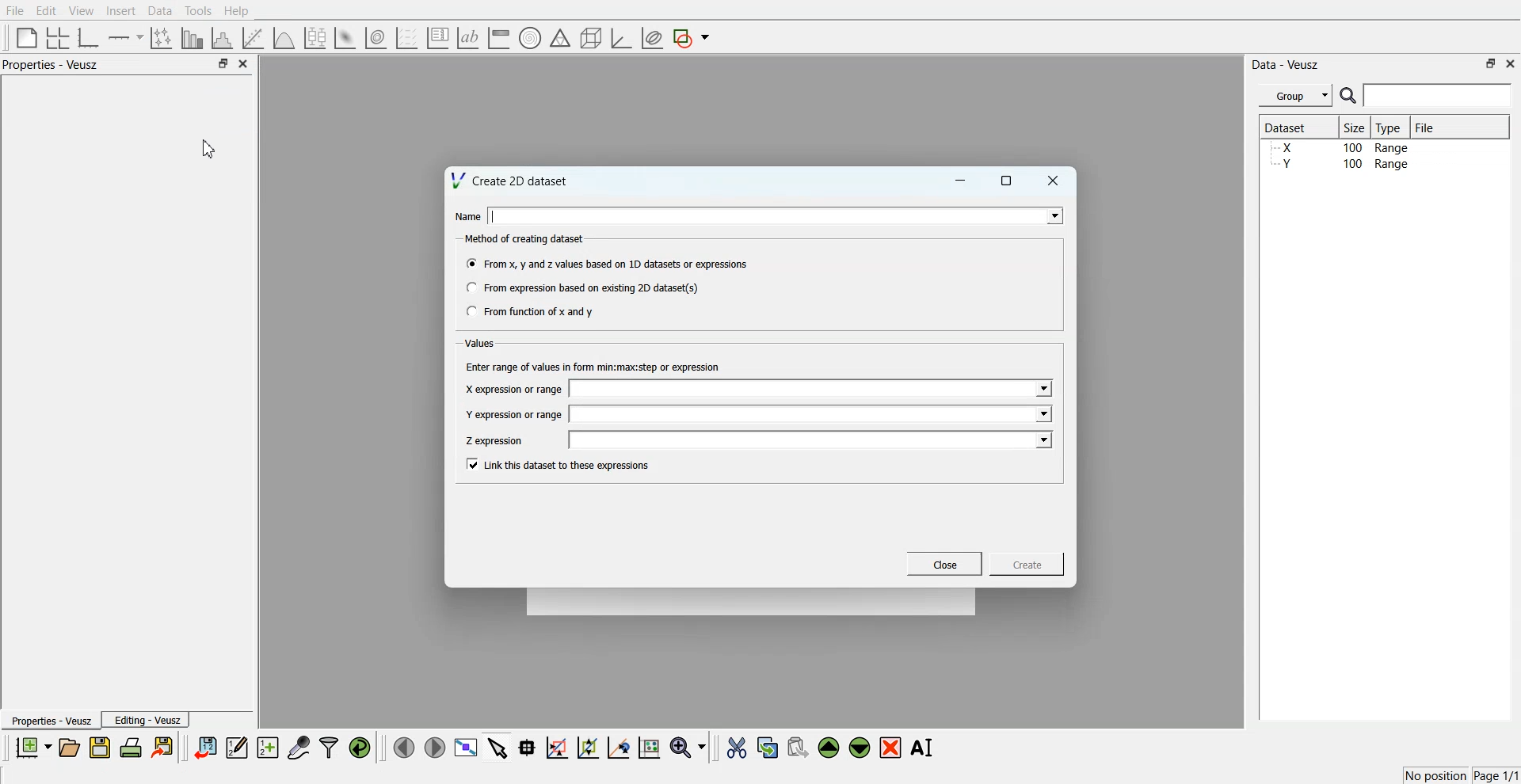 The width and height of the screenshot is (1521, 784). I want to click on Export to graphic format, so click(164, 747).